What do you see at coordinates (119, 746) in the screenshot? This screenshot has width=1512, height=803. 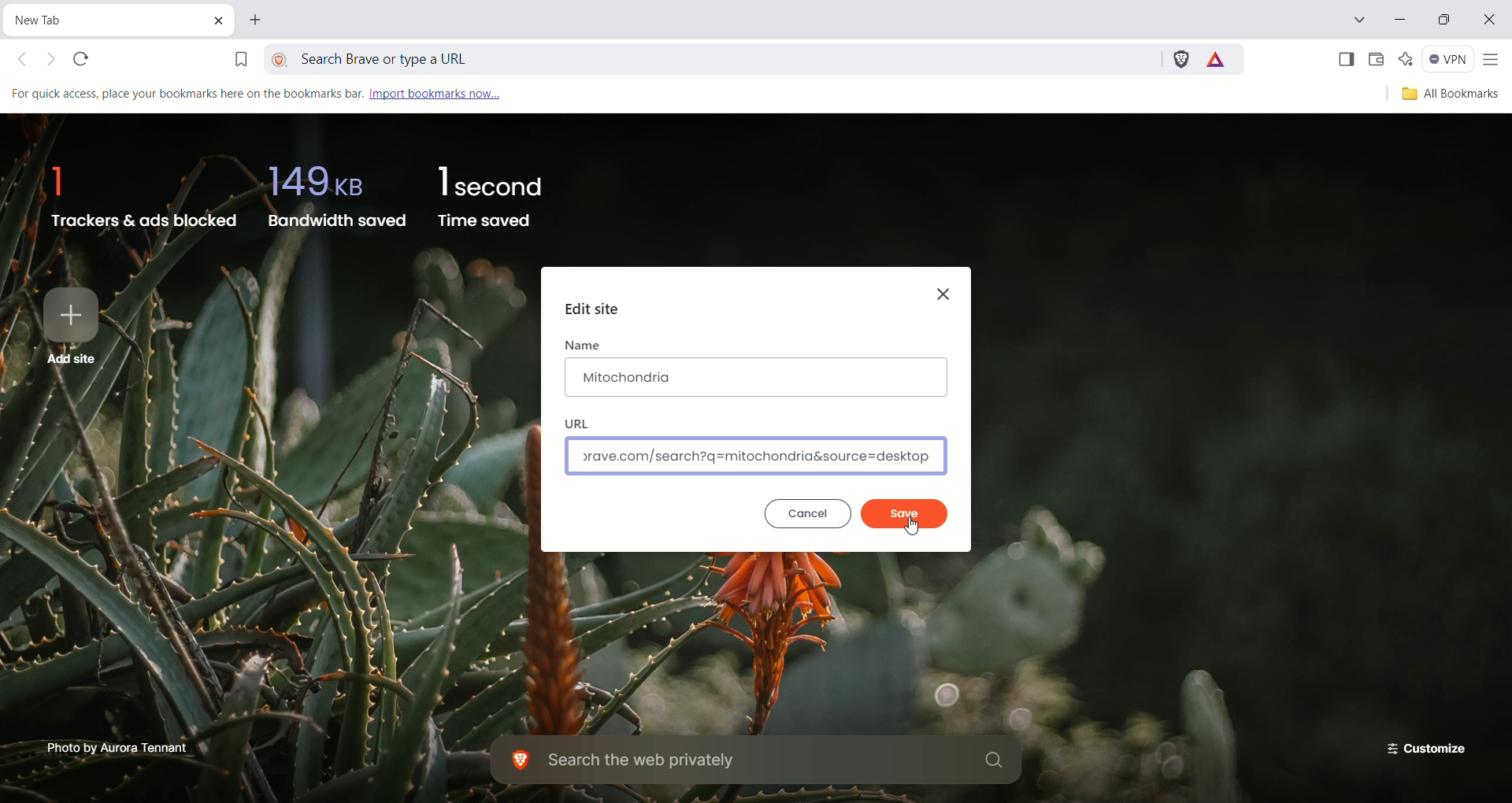 I see `Photo by Aurora Tennant` at bounding box center [119, 746].